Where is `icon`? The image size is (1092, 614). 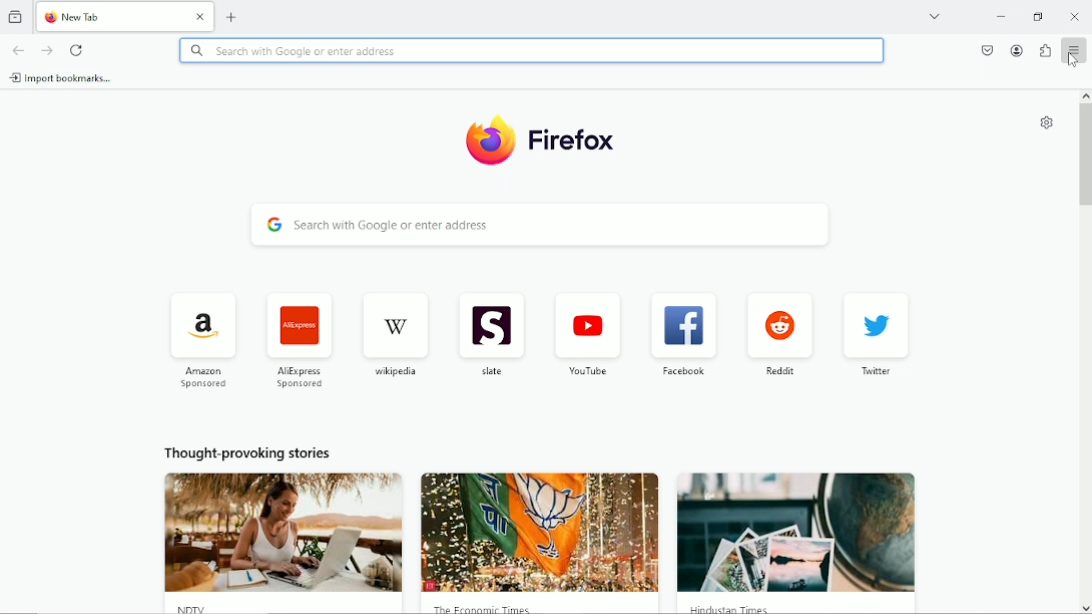
icon is located at coordinates (297, 324).